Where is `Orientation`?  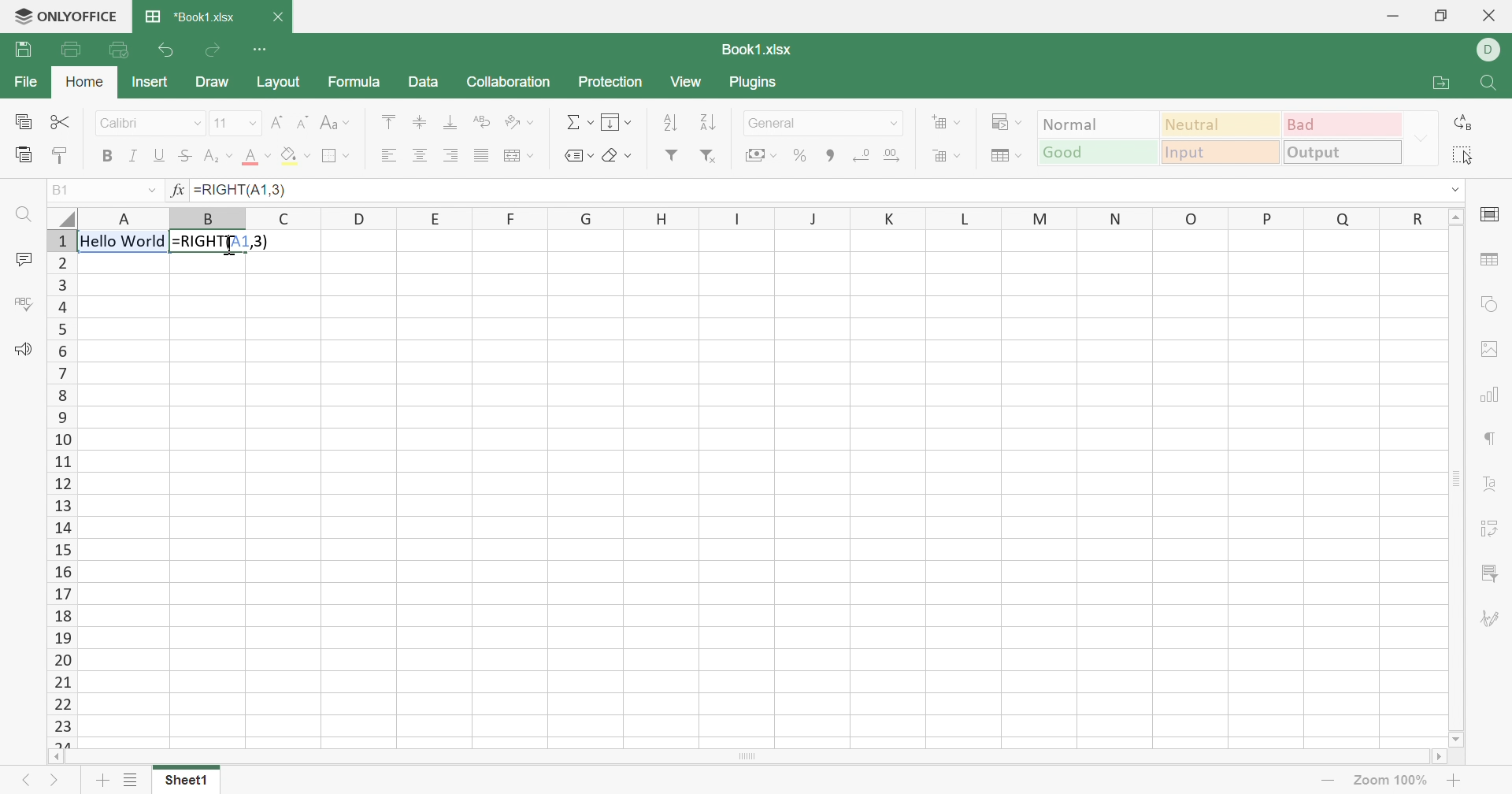
Orientation is located at coordinates (514, 122).